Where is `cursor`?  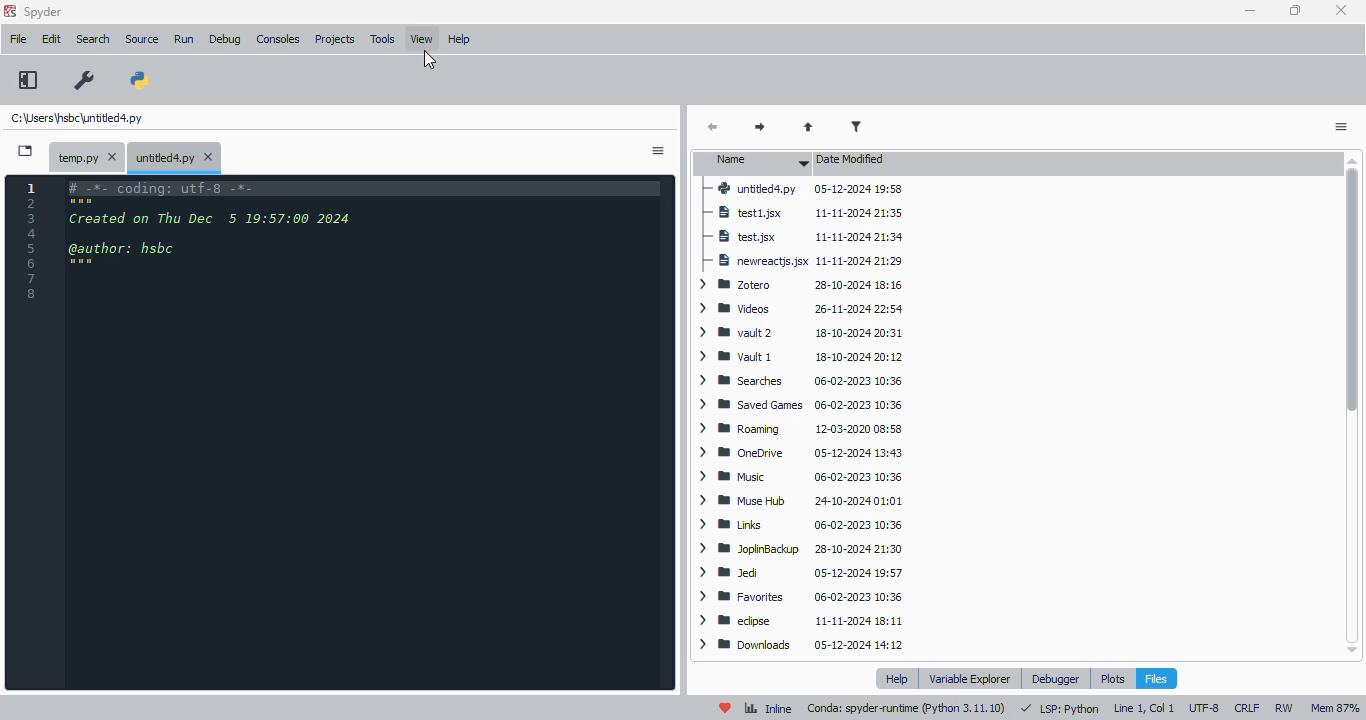
cursor is located at coordinates (429, 60).